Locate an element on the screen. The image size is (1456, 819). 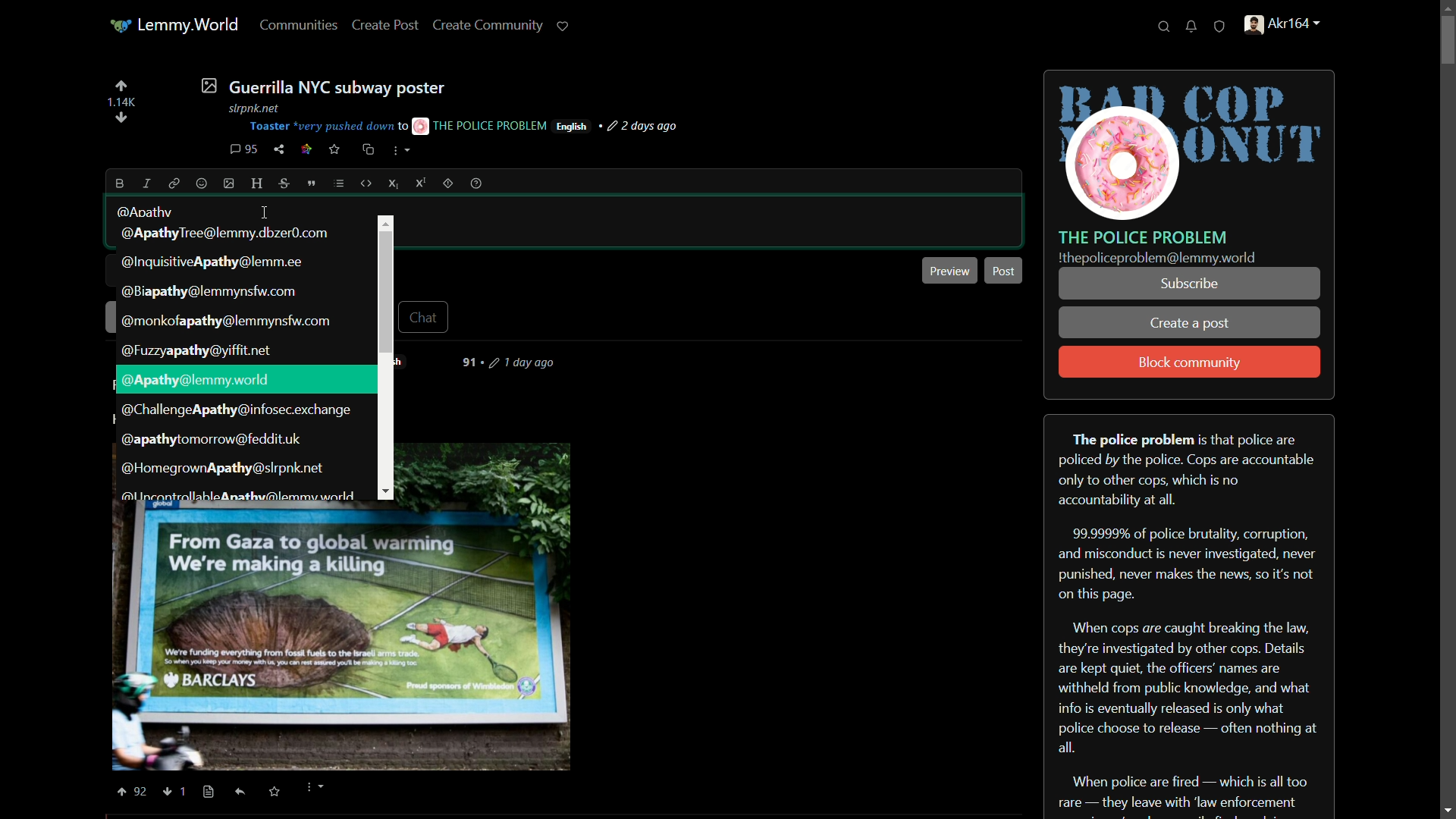
 is located at coordinates (143, 792).